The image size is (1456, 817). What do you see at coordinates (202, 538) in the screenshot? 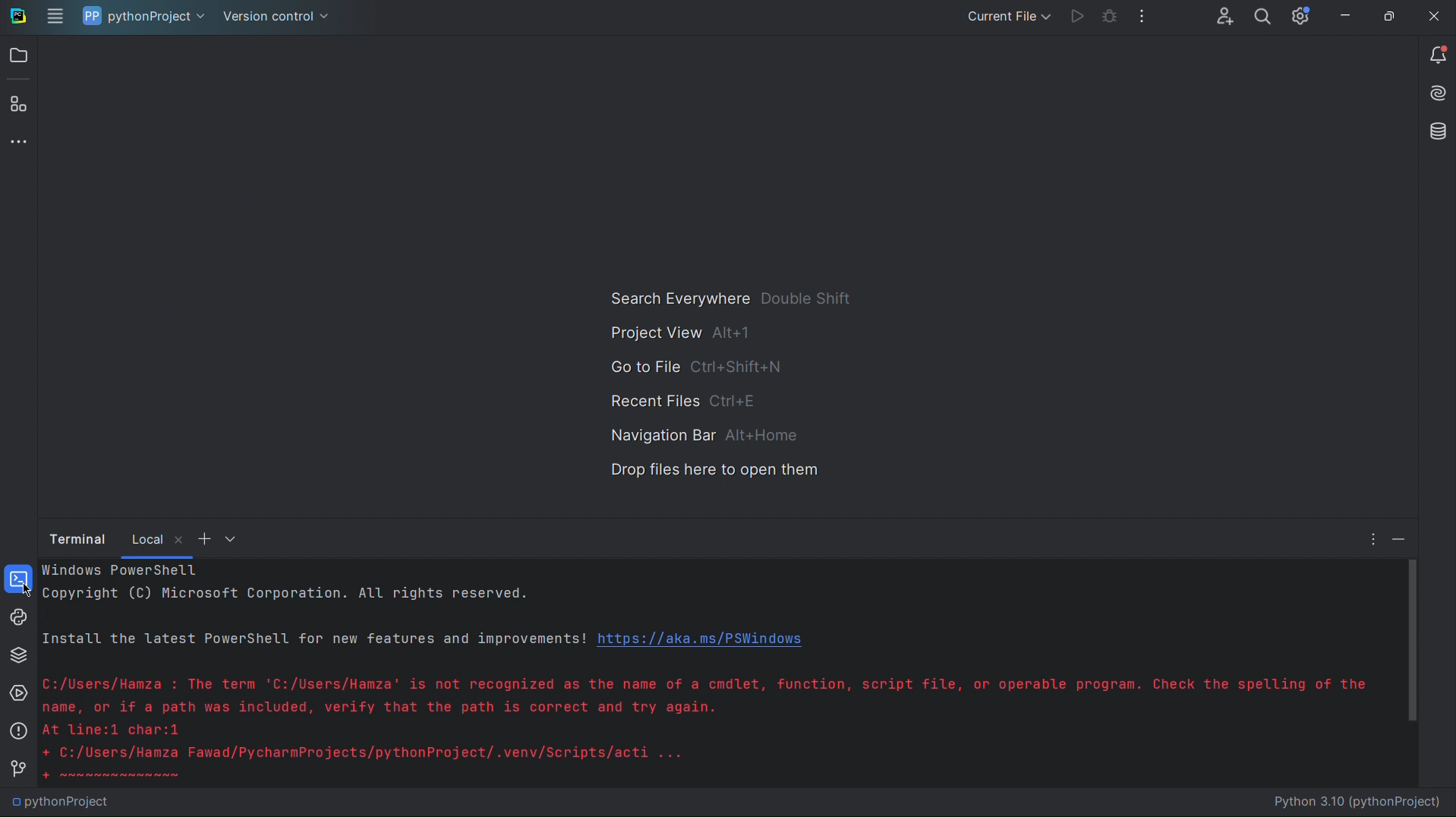
I see `Add New Window` at bounding box center [202, 538].